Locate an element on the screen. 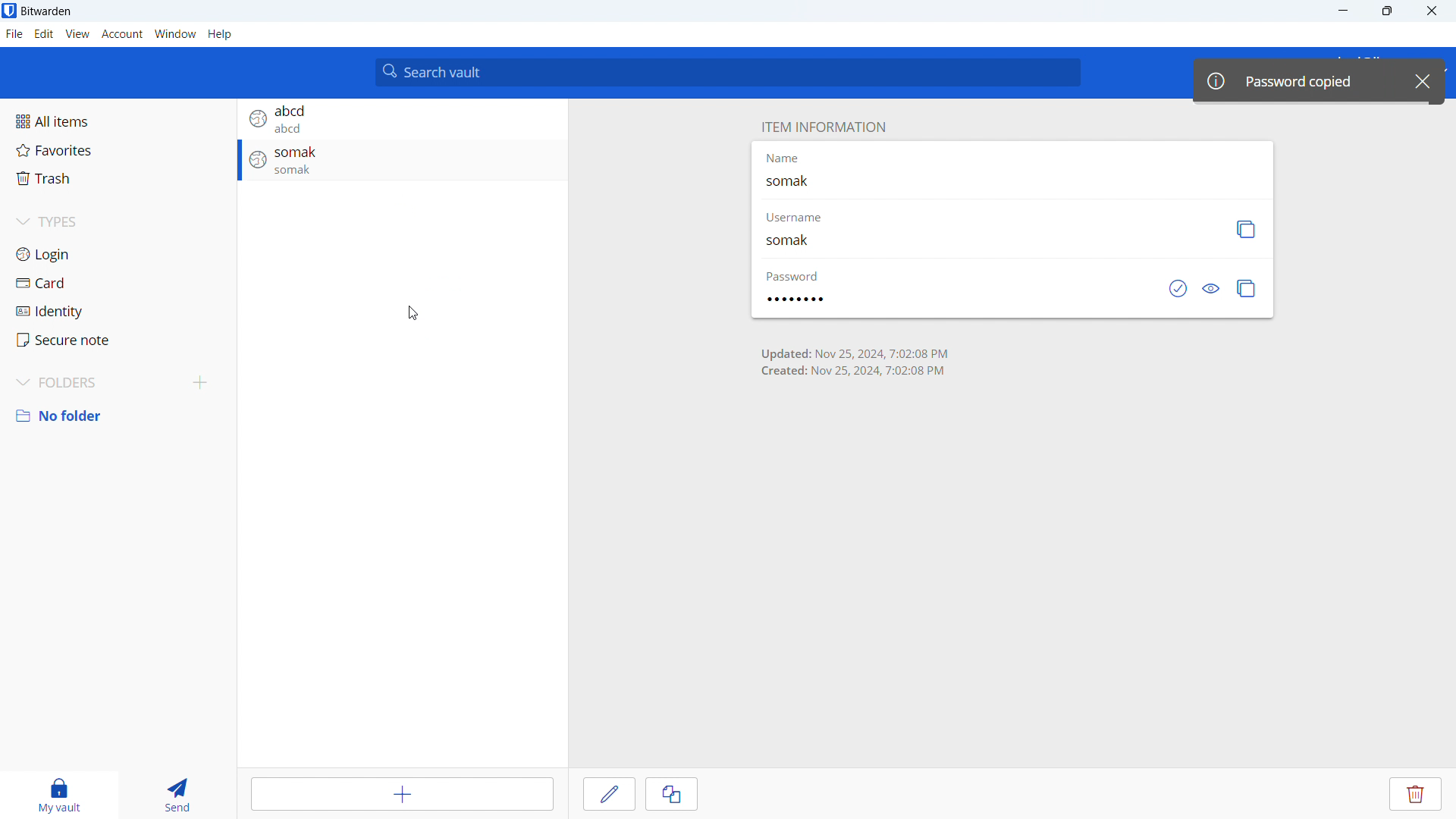 The image size is (1456, 819). copy username is located at coordinates (433, 277).